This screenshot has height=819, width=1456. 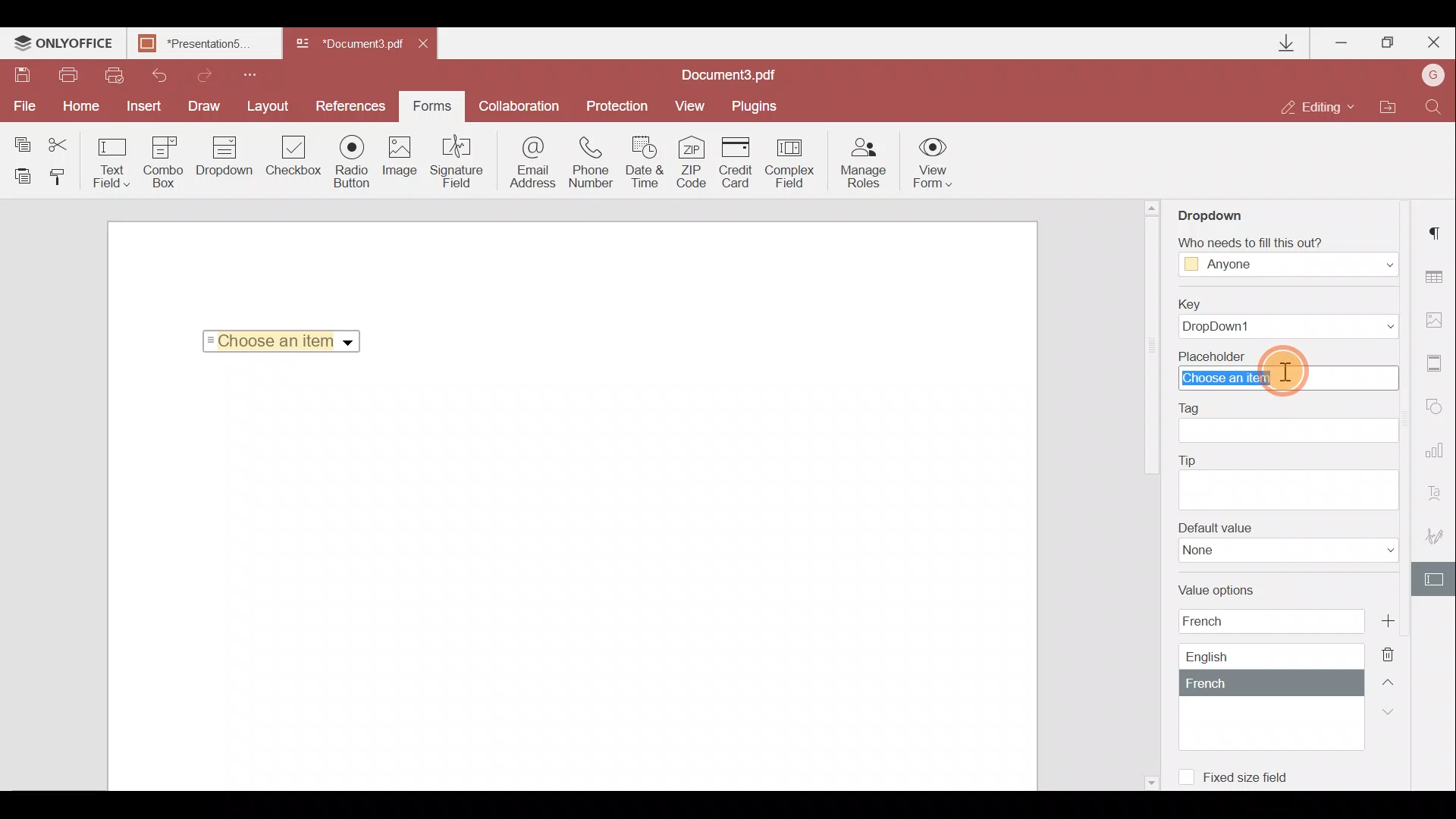 I want to click on View, so click(x=690, y=105).